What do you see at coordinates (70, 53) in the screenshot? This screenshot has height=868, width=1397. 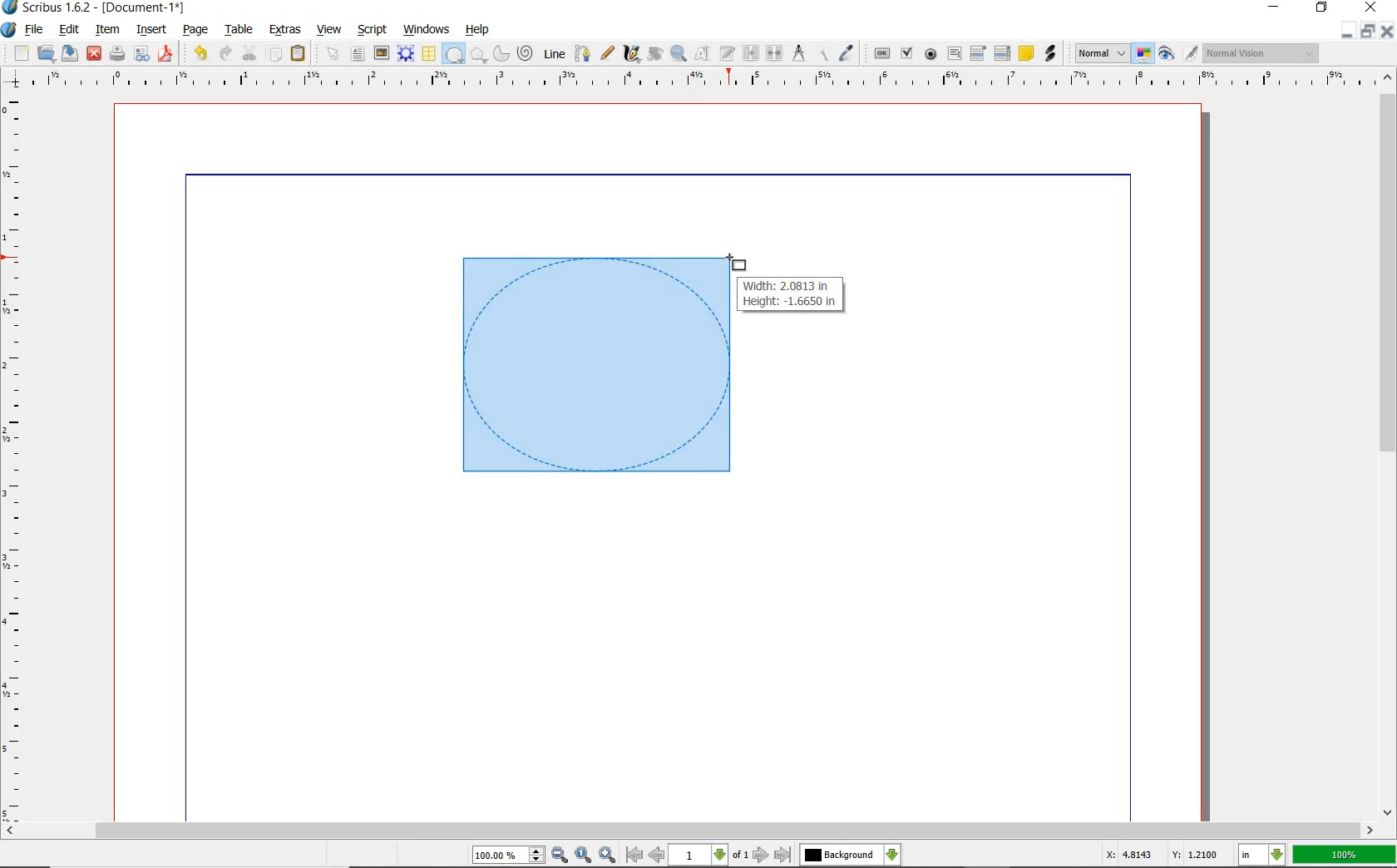 I see `SAVE` at bounding box center [70, 53].